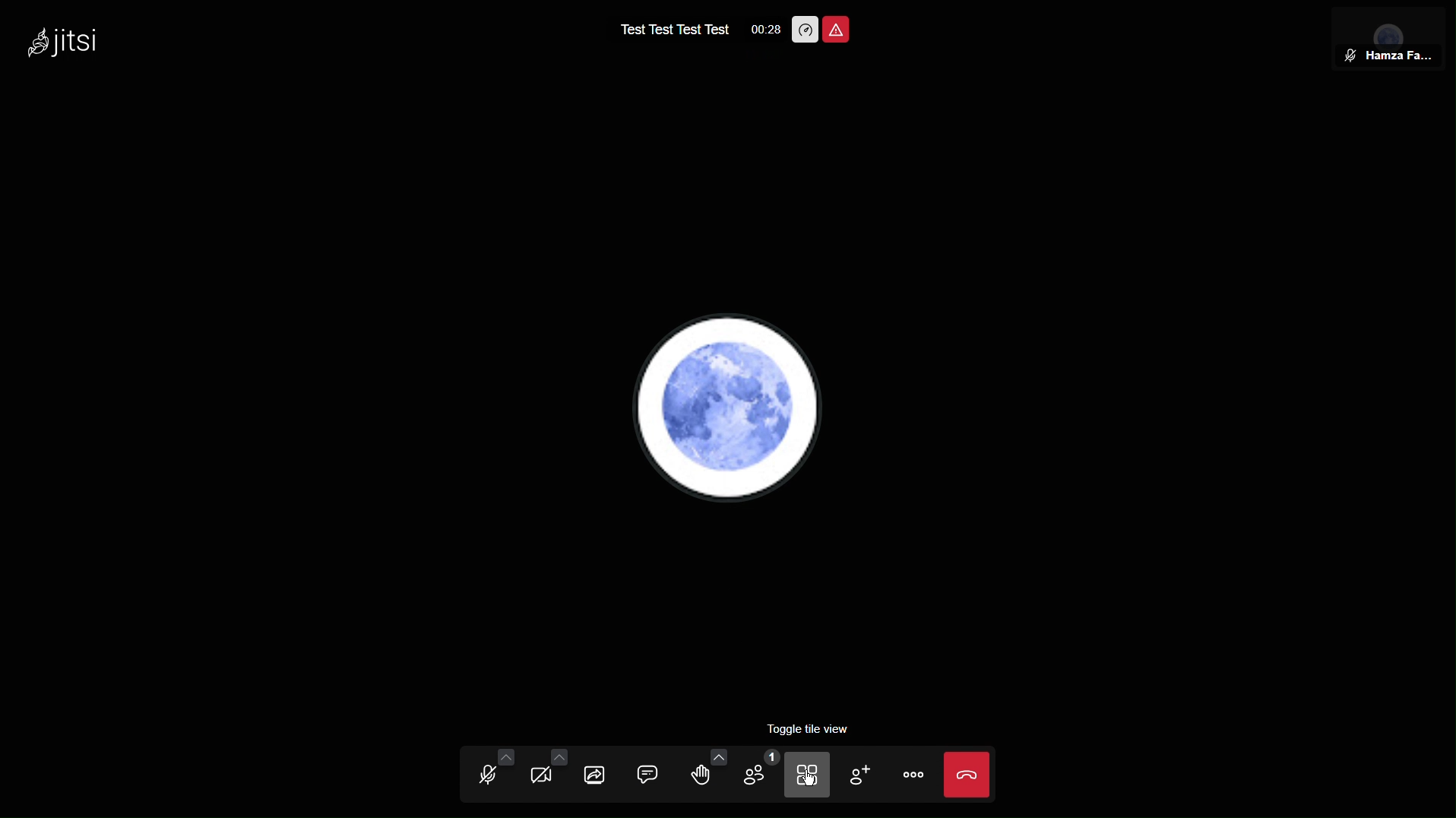 This screenshot has width=1456, height=818. I want to click on User View, so click(1384, 39).